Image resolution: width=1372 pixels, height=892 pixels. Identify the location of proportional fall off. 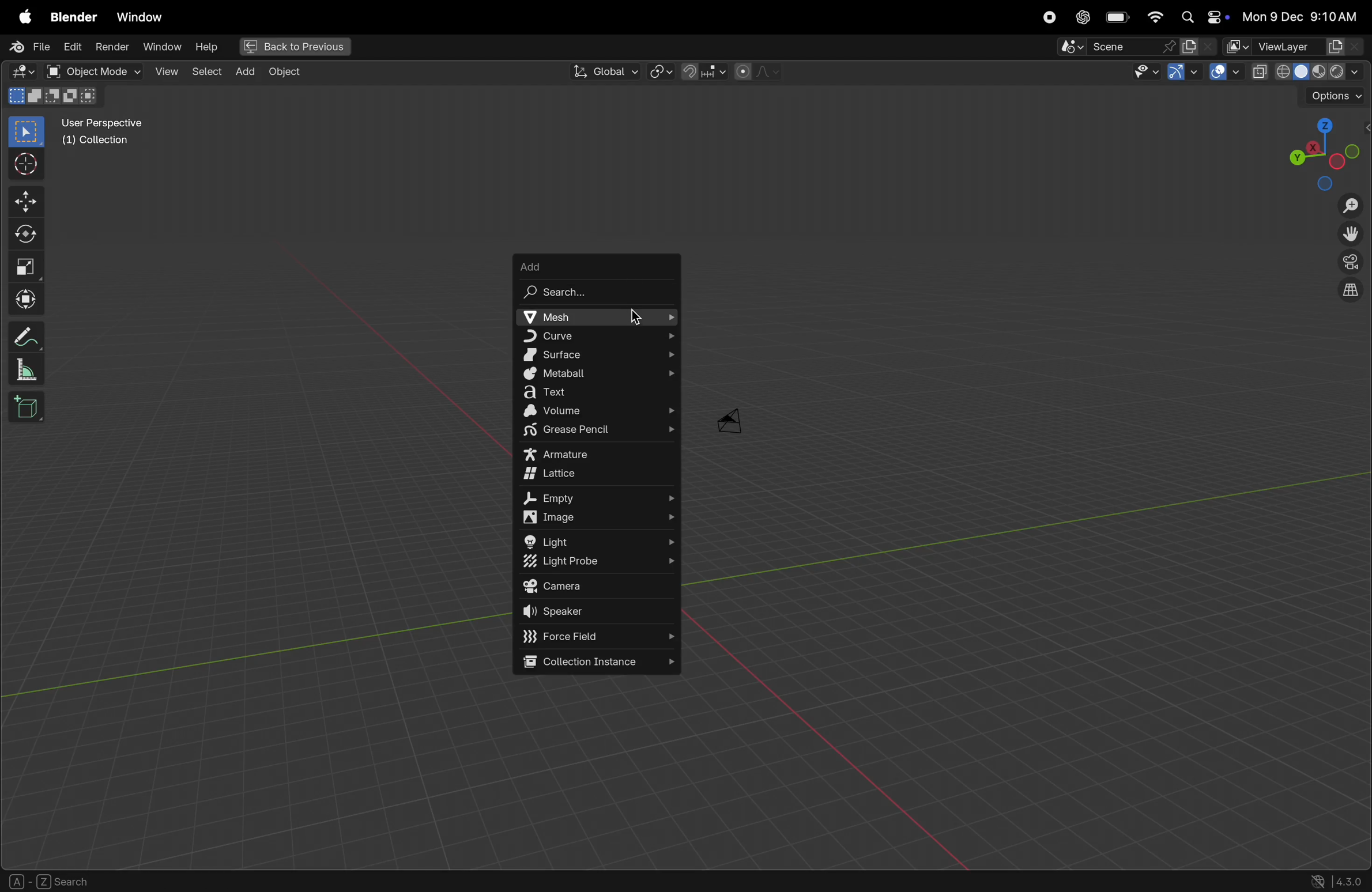
(756, 71).